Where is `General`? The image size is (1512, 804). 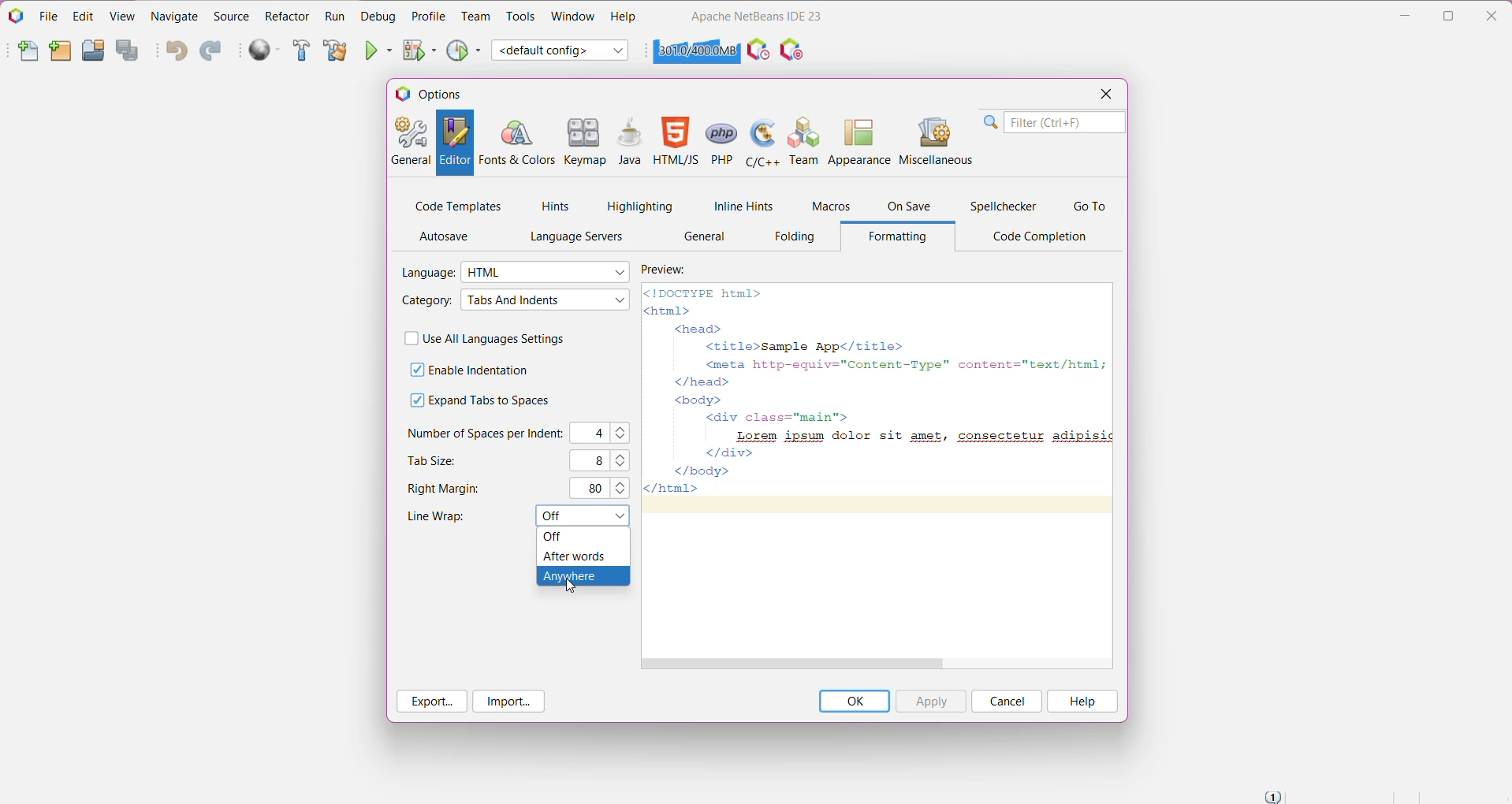 General is located at coordinates (410, 143).